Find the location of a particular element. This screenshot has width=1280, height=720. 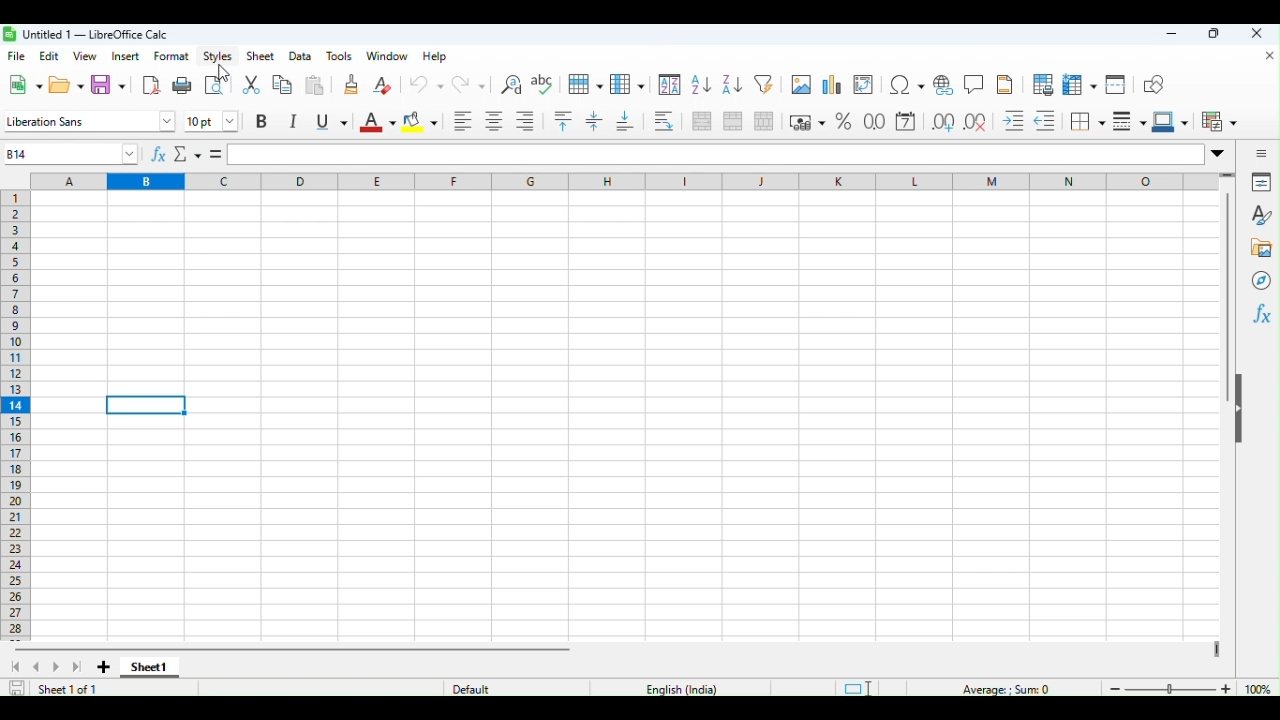

Gallery is located at coordinates (1260, 244).